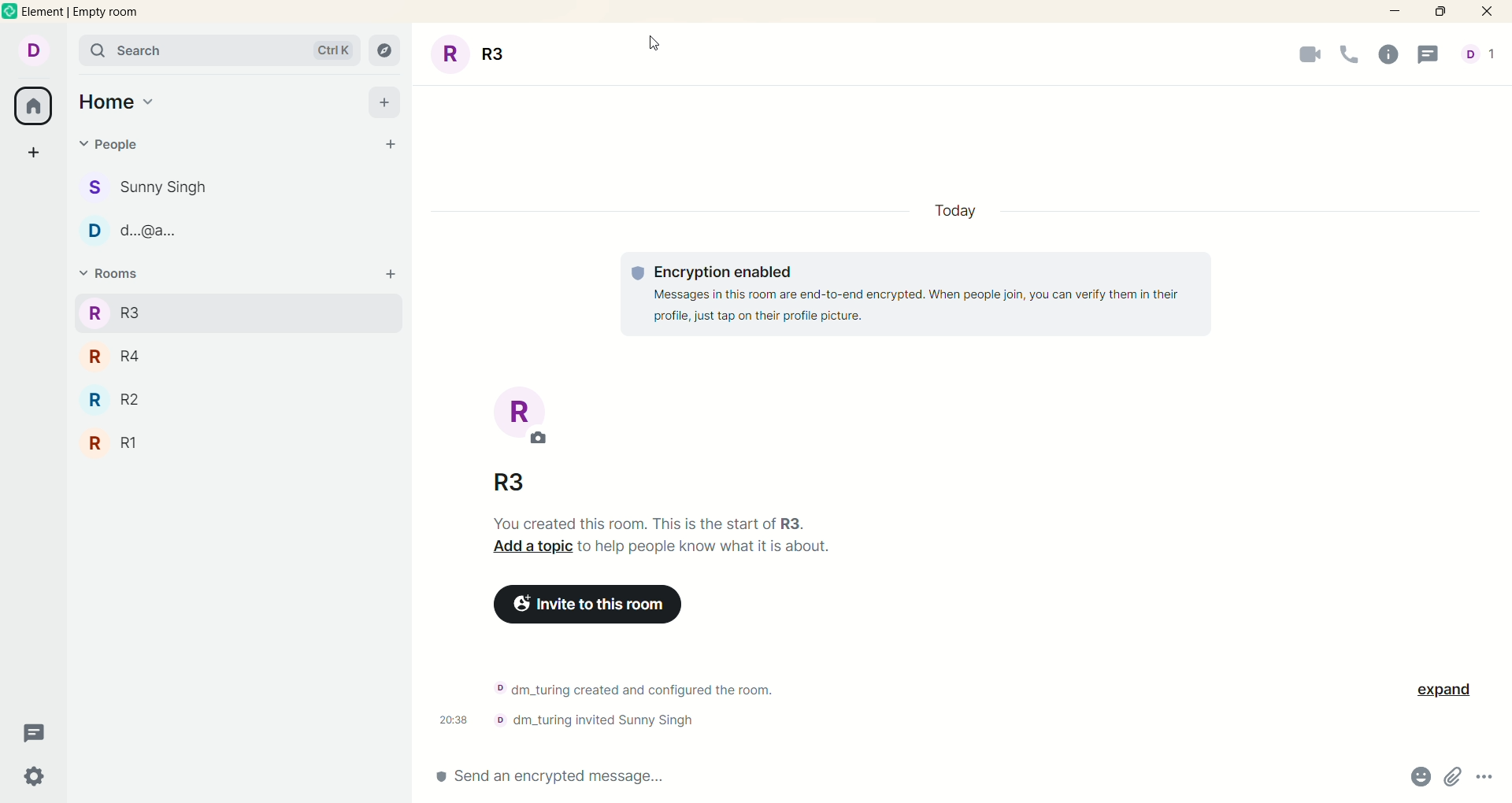  I want to click on R3, so click(505, 479).